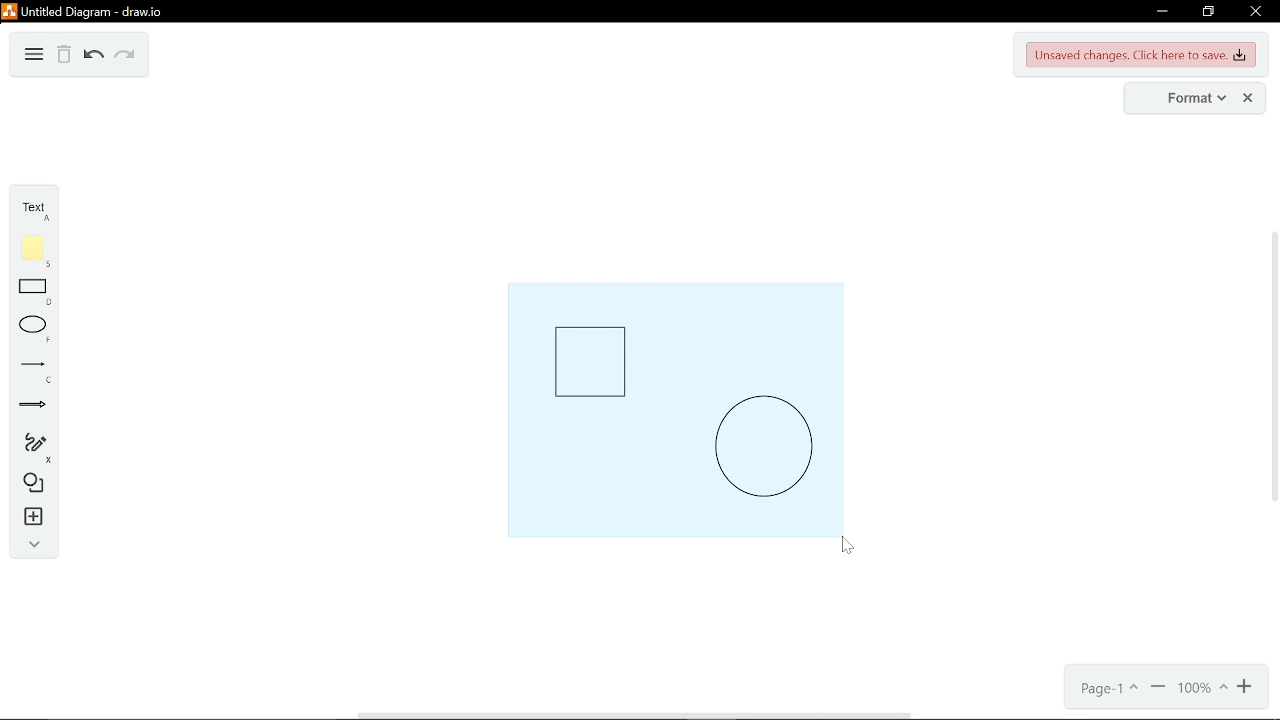  I want to click on restore down, so click(1210, 12).